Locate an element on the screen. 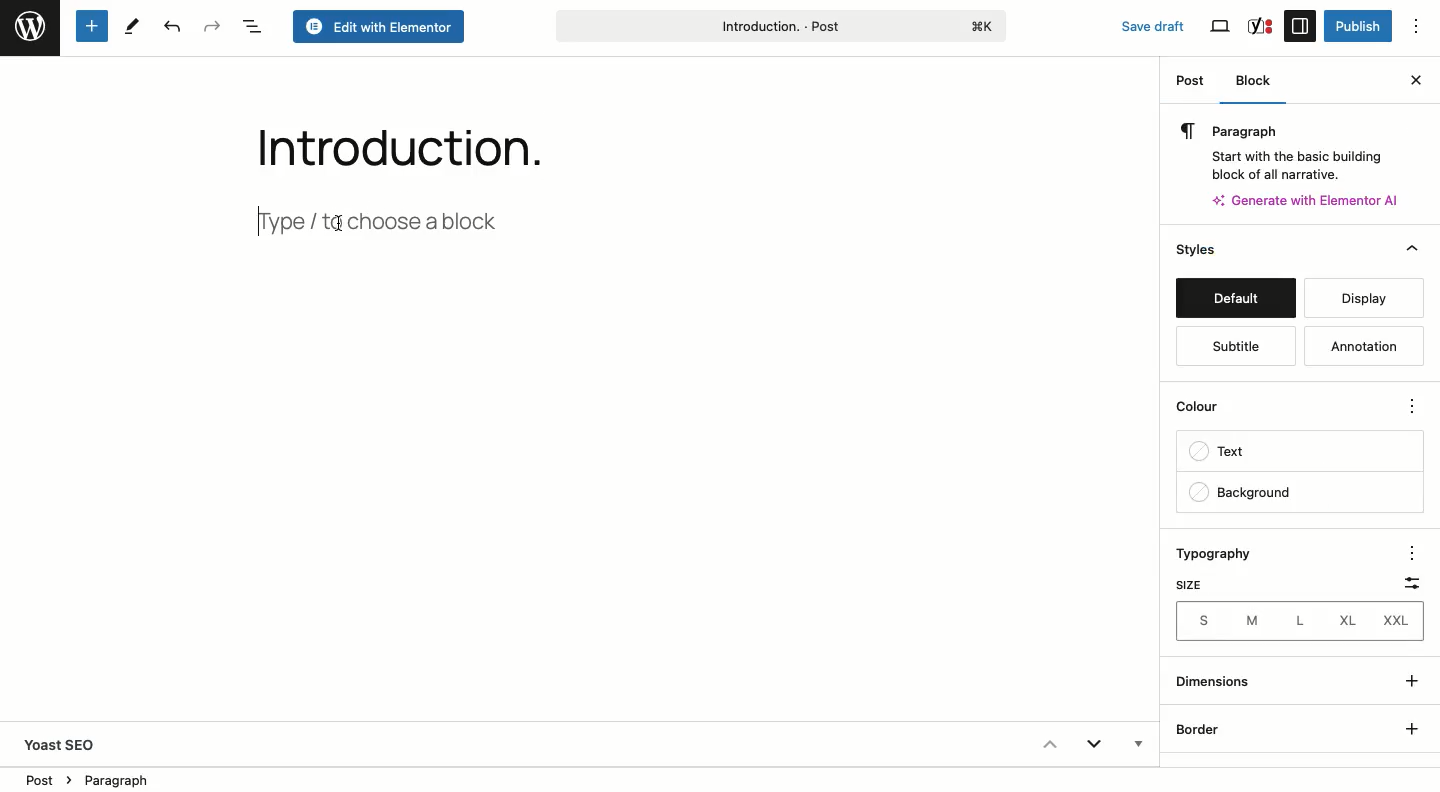  Expand is located at coordinates (1094, 747).